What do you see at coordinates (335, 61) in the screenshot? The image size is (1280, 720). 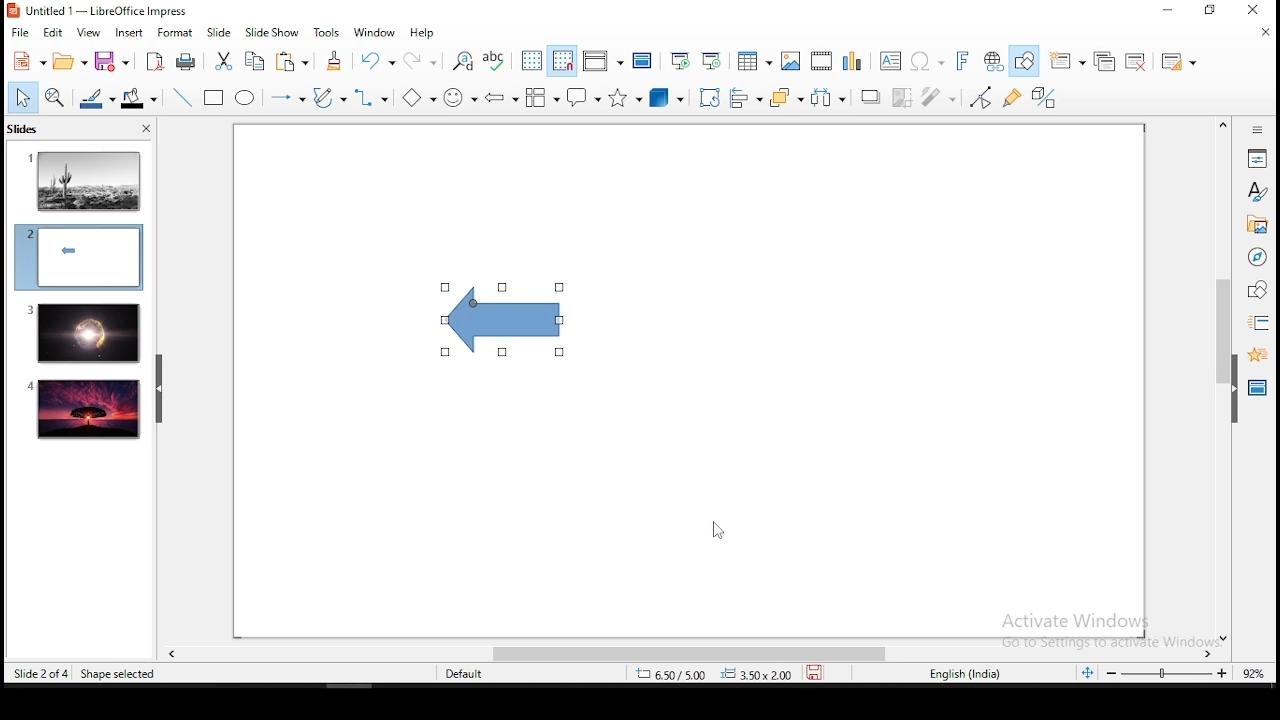 I see `clone formatting` at bounding box center [335, 61].